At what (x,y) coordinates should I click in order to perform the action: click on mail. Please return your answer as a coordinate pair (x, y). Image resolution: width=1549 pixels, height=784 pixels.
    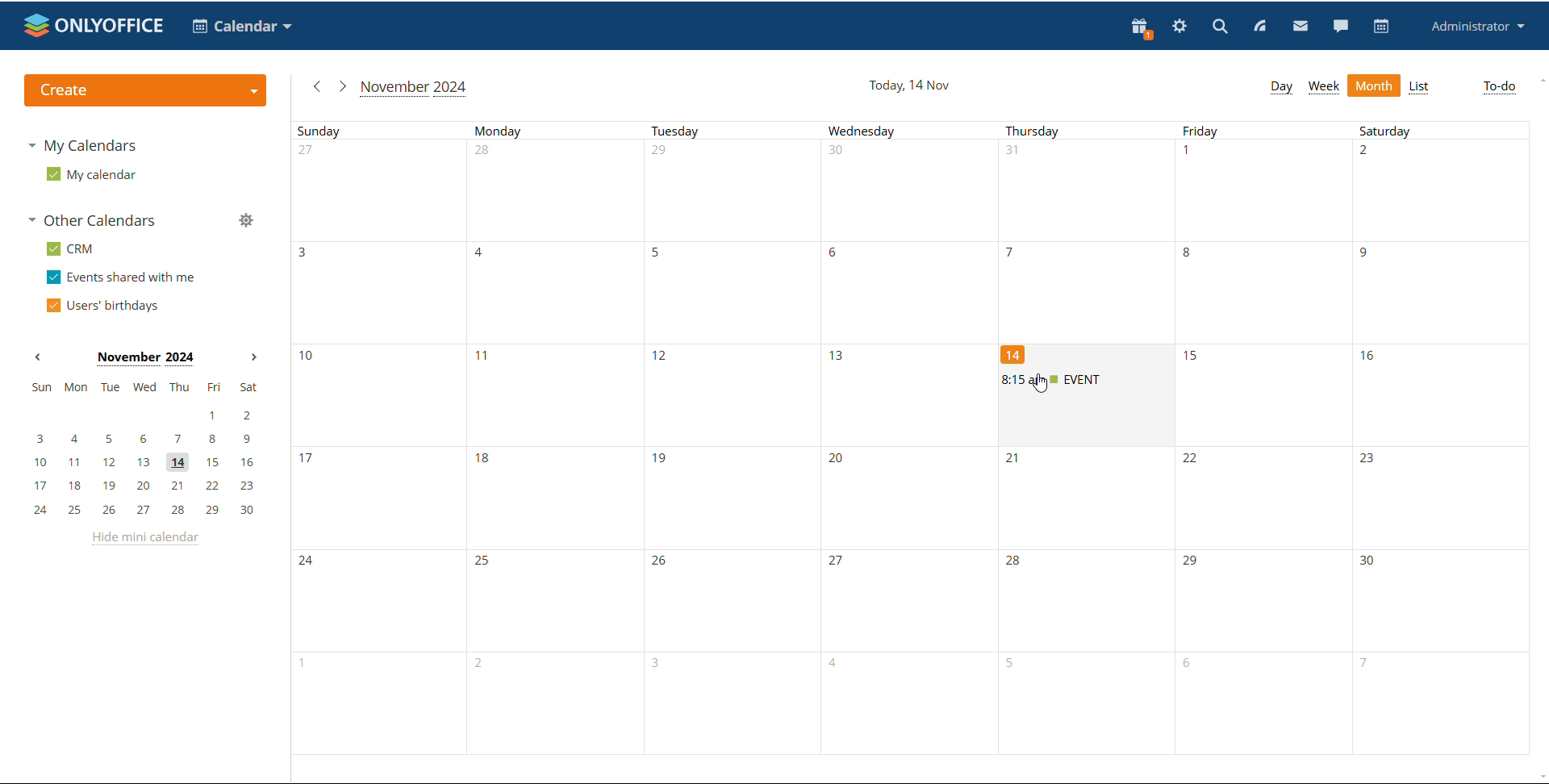
    Looking at the image, I should click on (1300, 25).